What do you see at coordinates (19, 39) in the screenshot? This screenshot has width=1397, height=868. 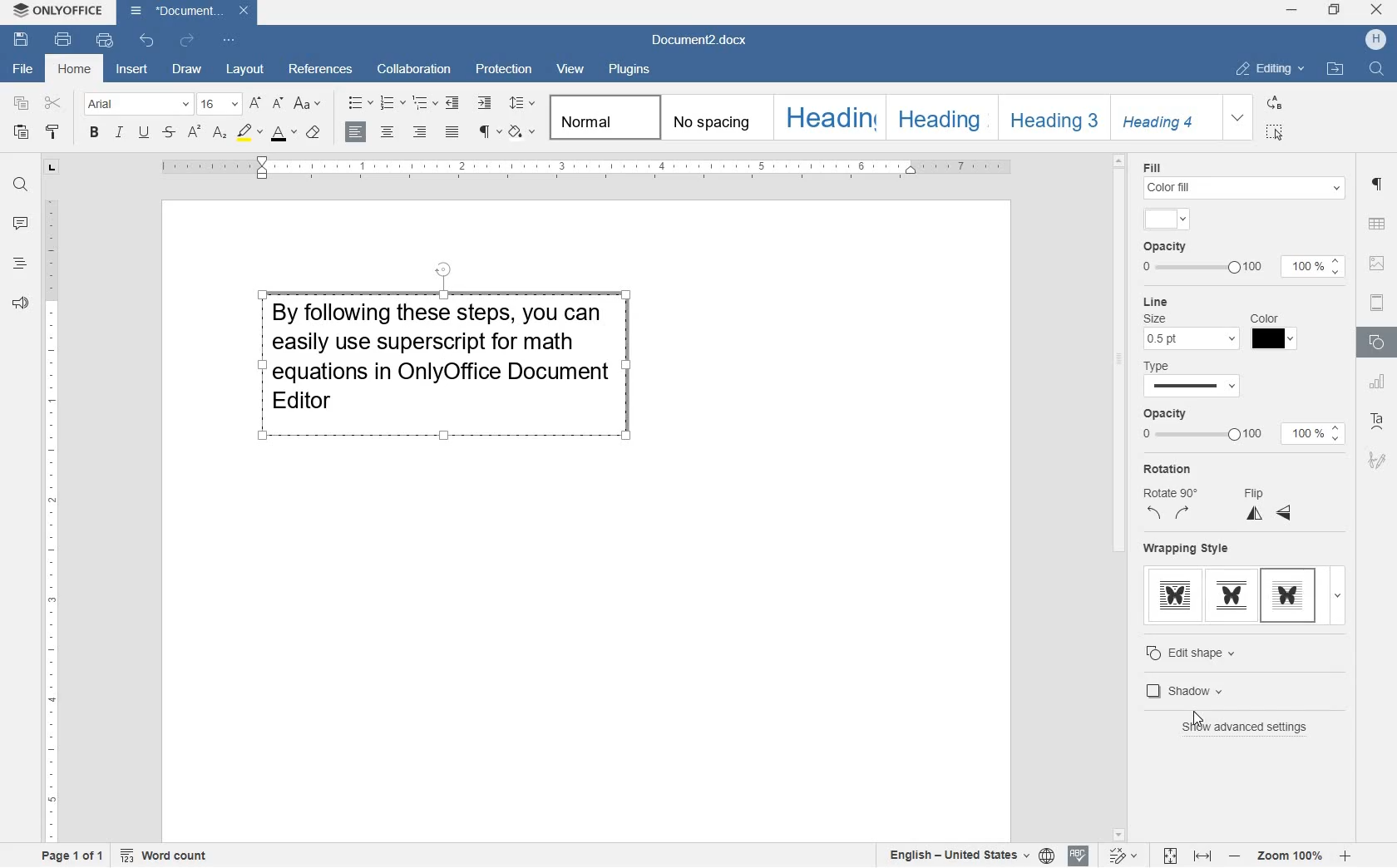 I see `save` at bounding box center [19, 39].